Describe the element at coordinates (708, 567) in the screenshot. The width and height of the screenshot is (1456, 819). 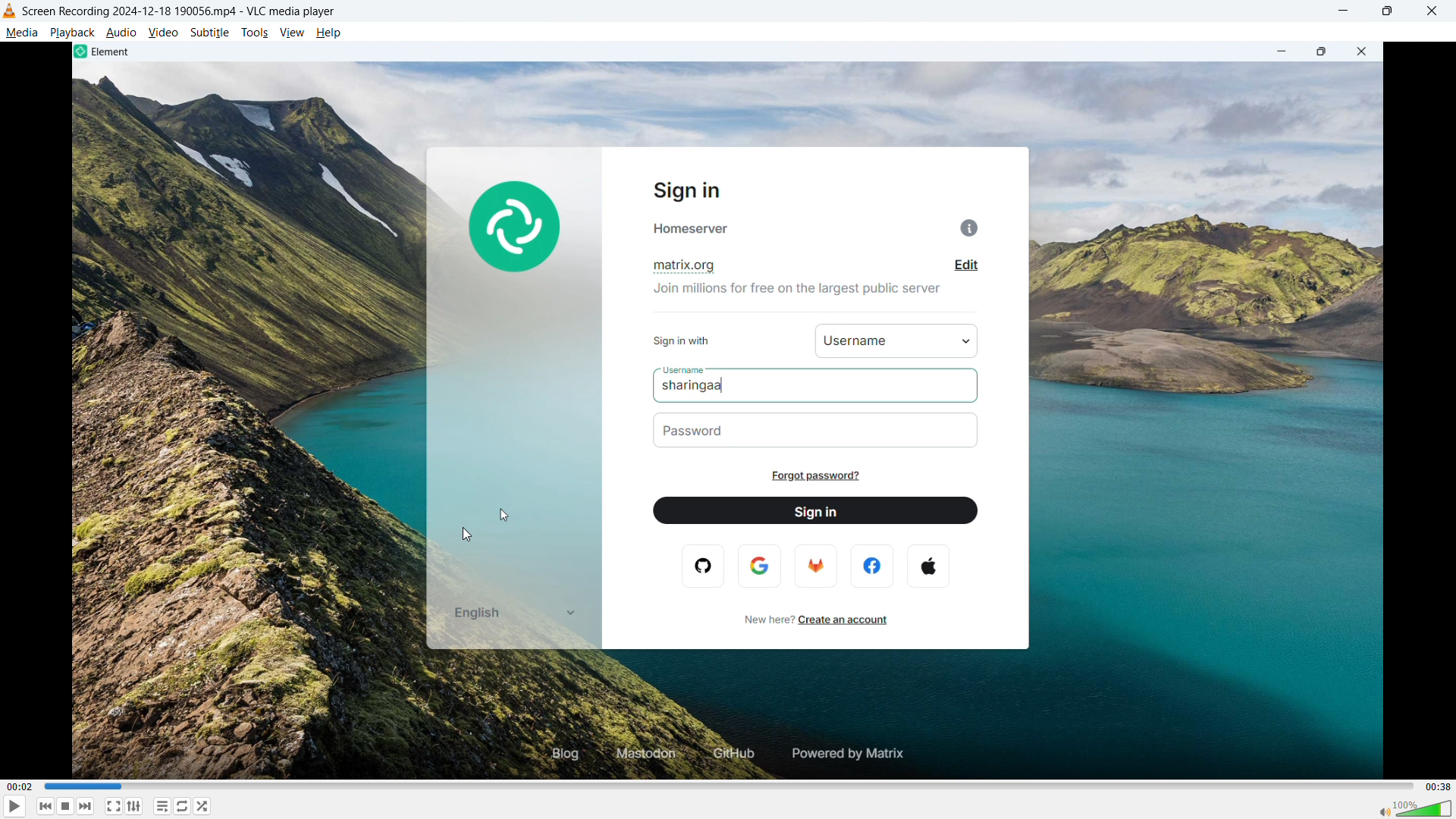
I see `Github` at that location.